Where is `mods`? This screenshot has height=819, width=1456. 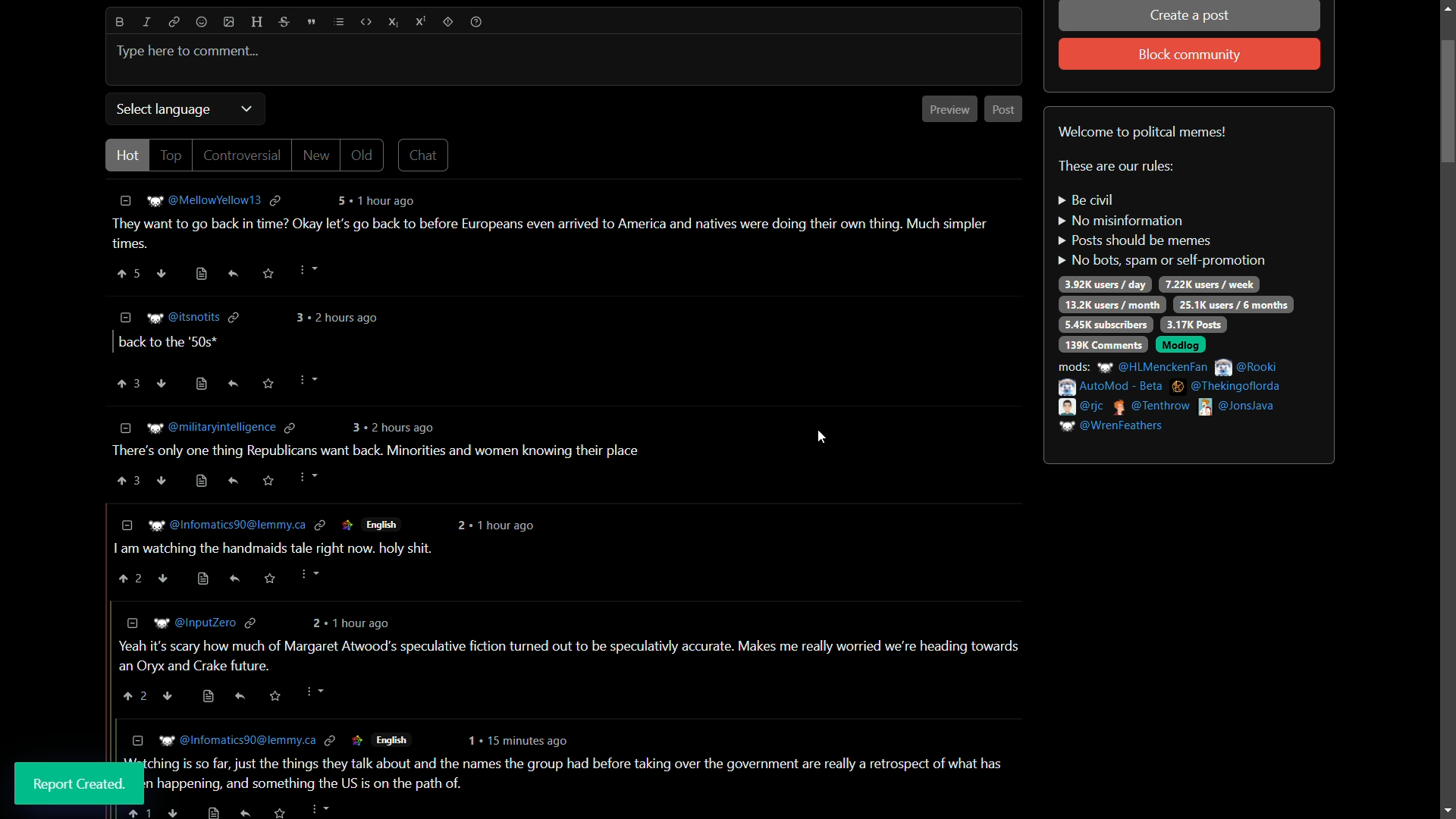
mods is located at coordinates (1172, 396).